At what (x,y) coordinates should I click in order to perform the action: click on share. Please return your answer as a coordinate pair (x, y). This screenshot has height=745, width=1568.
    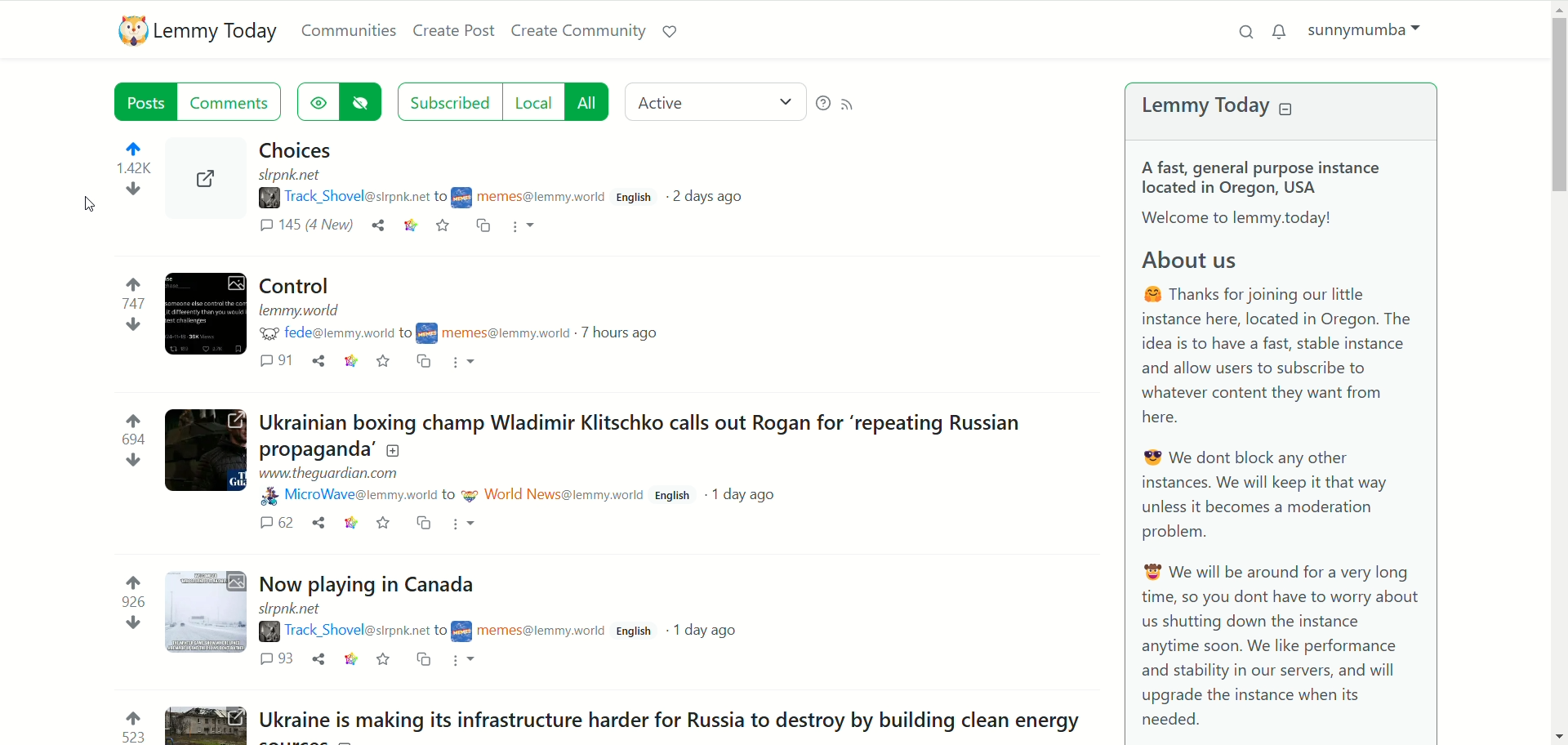
    Looking at the image, I should click on (319, 658).